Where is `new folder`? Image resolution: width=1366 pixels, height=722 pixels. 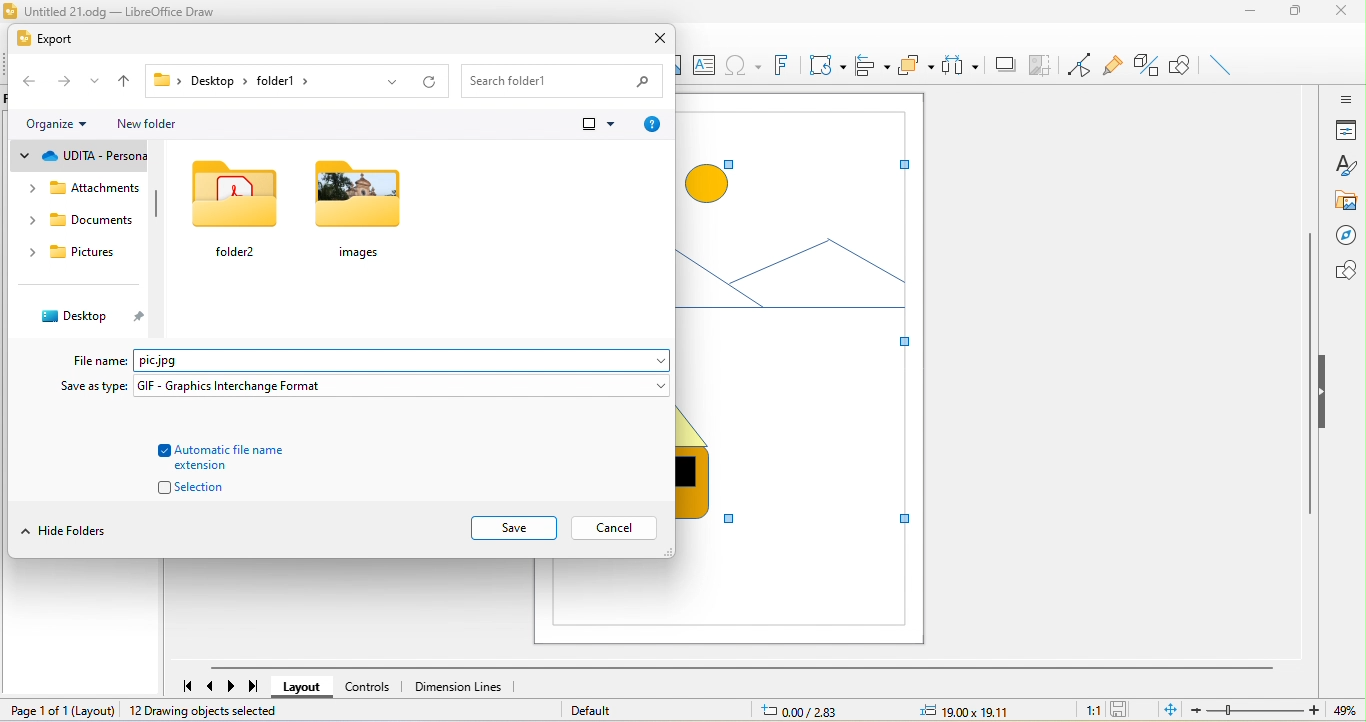 new folder is located at coordinates (153, 124).